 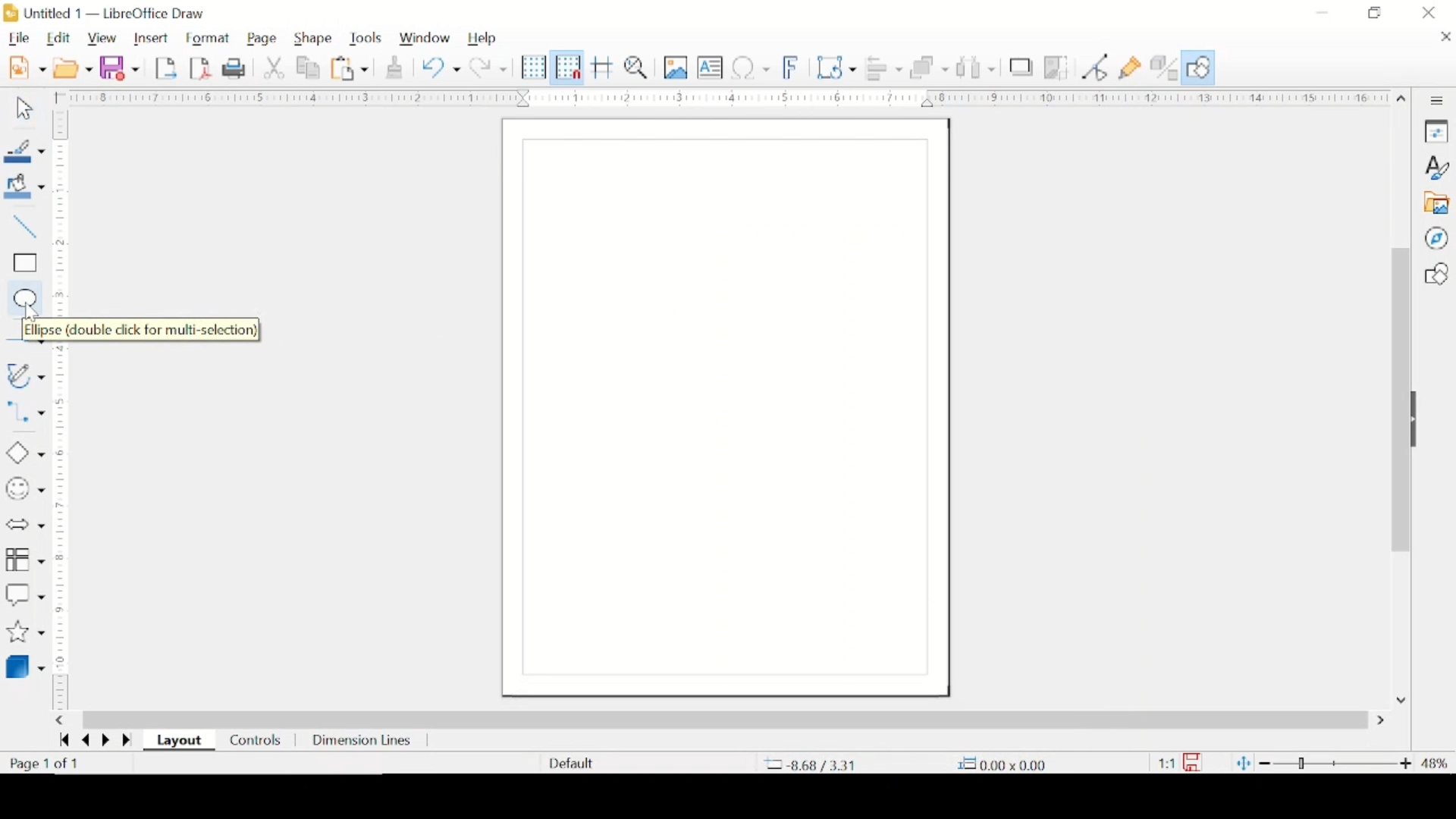 What do you see at coordinates (425, 39) in the screenshot?
I see `window` at bounding box center [425, 39].